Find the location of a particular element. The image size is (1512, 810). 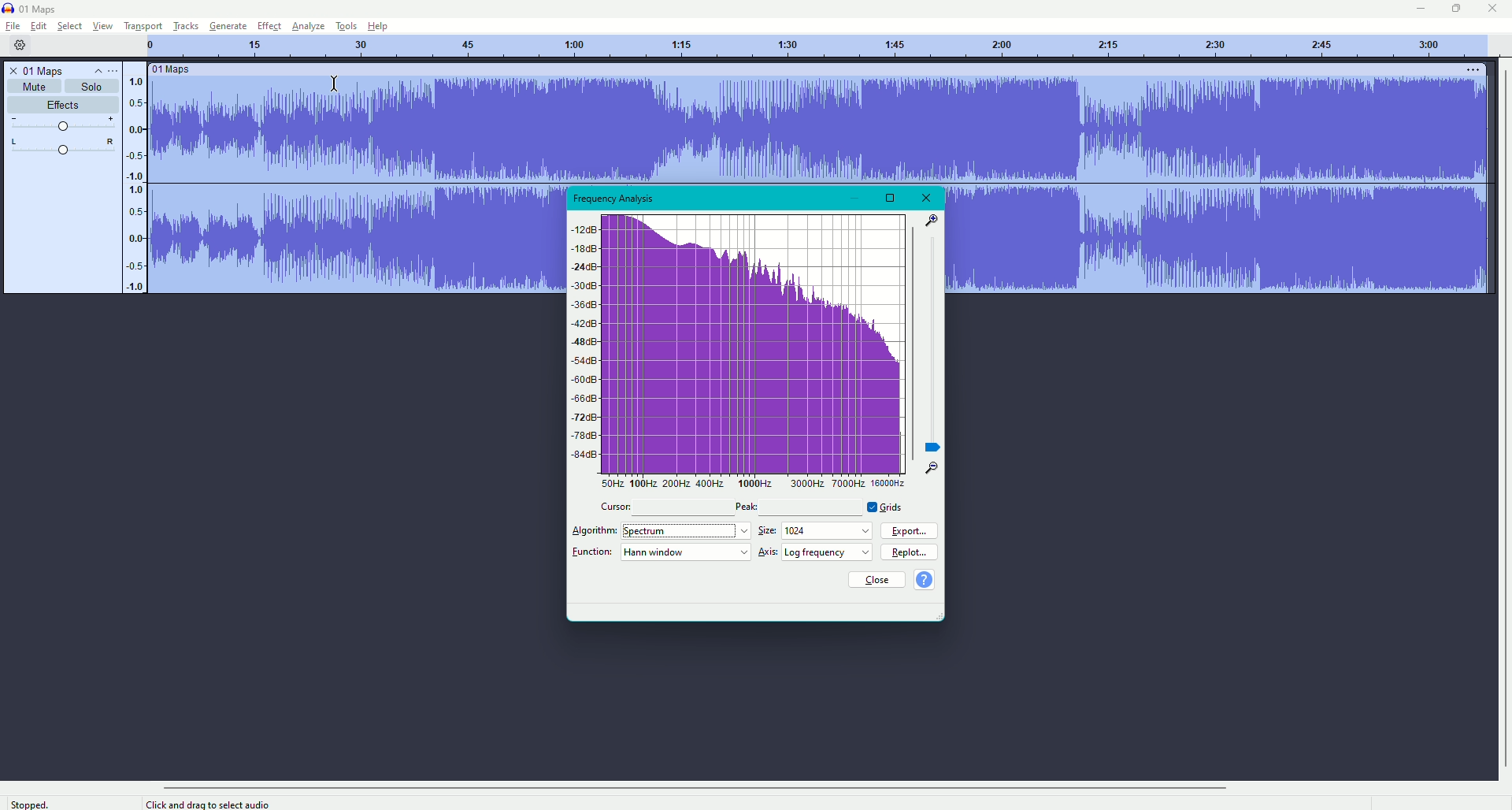

Controls is located at coordinates (105, 71).